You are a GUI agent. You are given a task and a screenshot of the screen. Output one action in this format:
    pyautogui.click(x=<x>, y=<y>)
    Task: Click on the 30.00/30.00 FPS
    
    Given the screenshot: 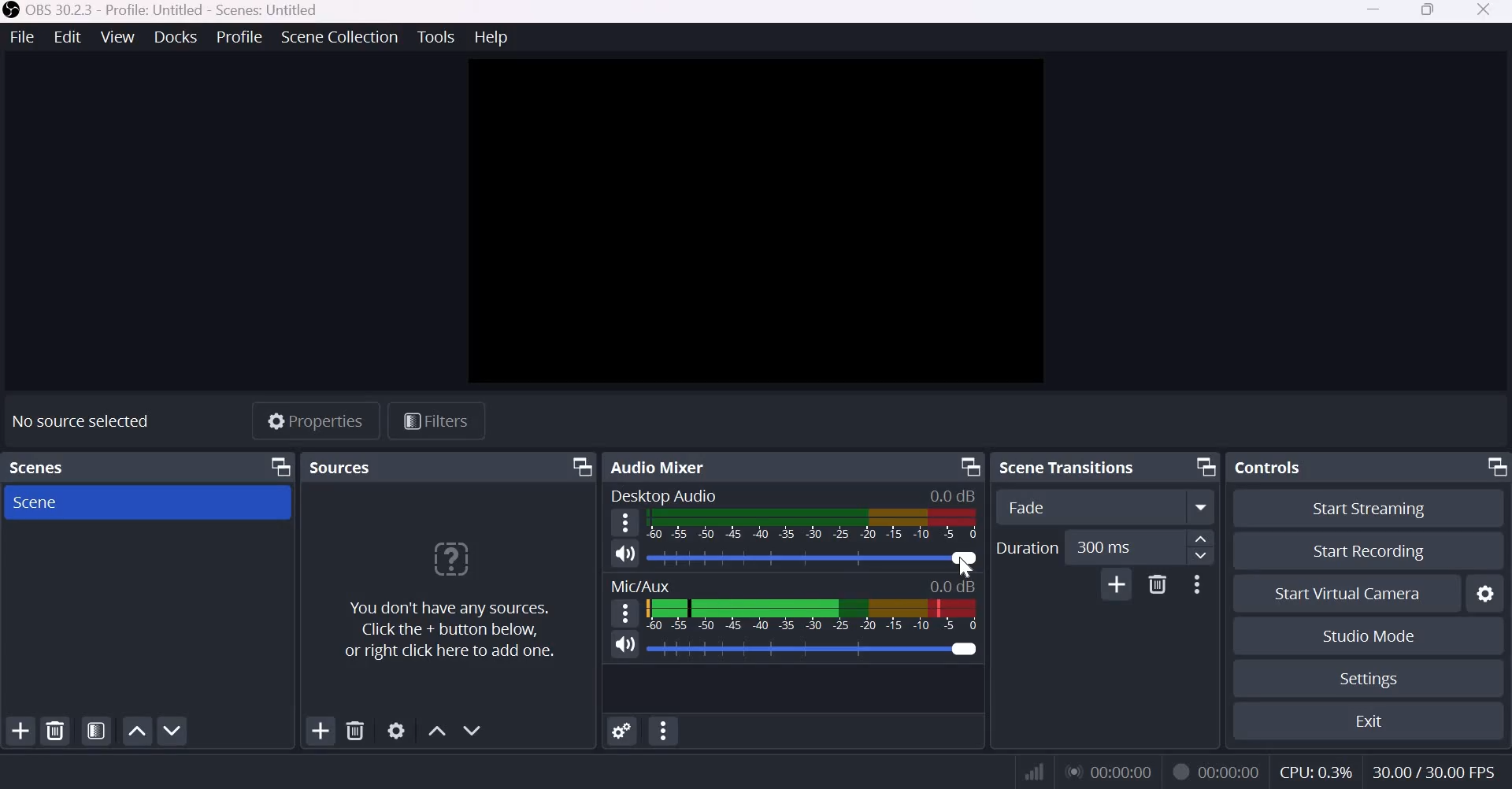 What is the action you would take?
    pyautogui.click(x=1434, y=772)
    